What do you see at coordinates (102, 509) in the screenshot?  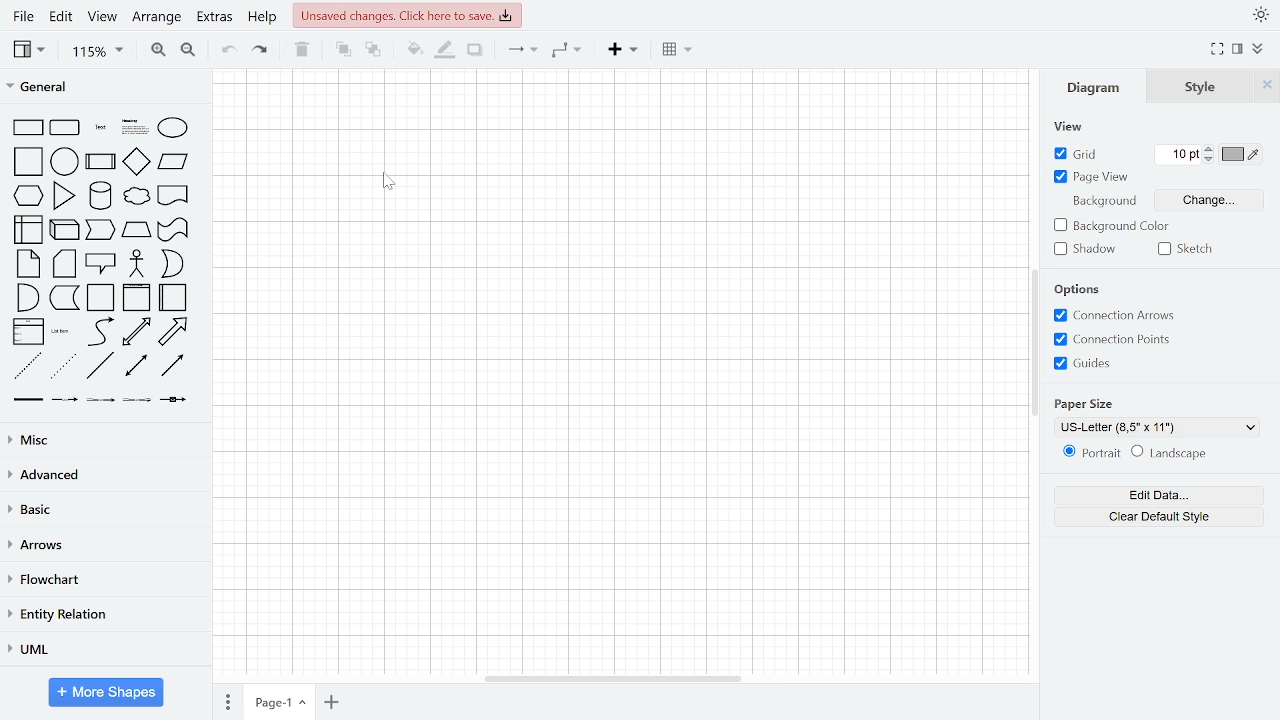 I see `basic` at bounding box center [102, 509].